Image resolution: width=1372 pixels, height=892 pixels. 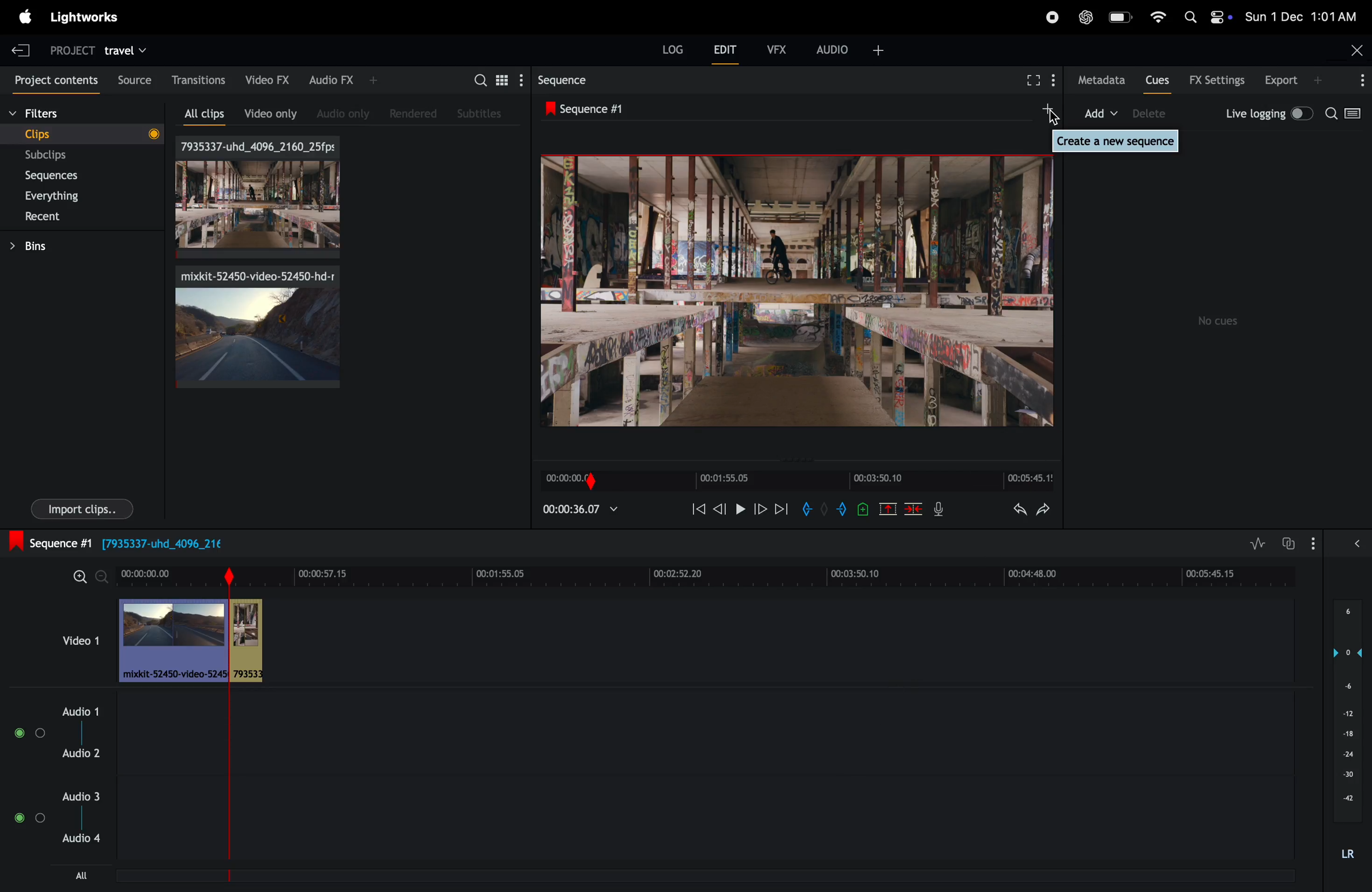 What do you see at coordinates (478, 84) in the screenshot?
I see `search for assets bins` at bounding box center [478, 84].